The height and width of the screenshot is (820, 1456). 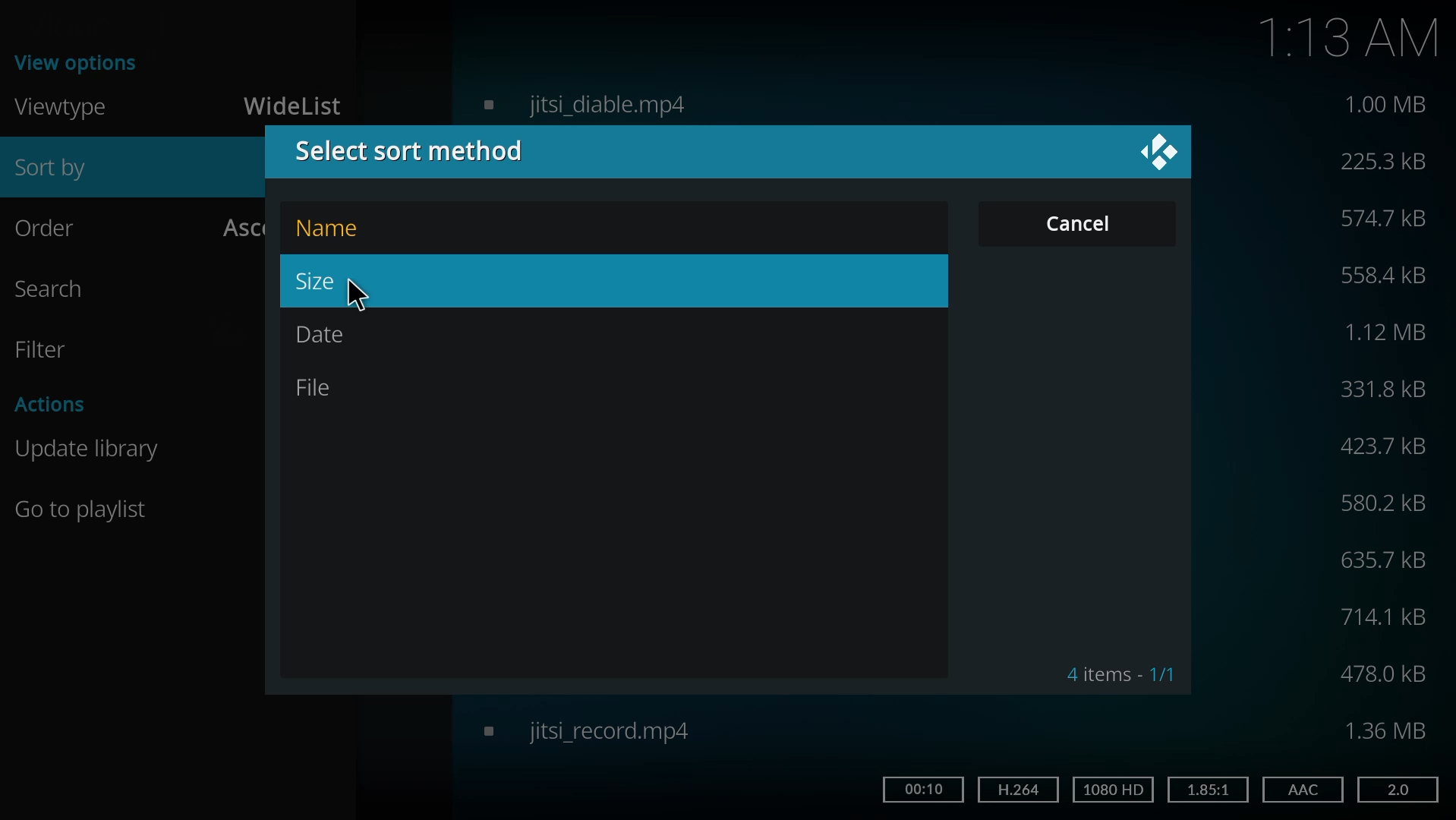 What do you see at coordinates (361, 296) in the screenshot?
I see `cursor` at bounding box center [361, 296].